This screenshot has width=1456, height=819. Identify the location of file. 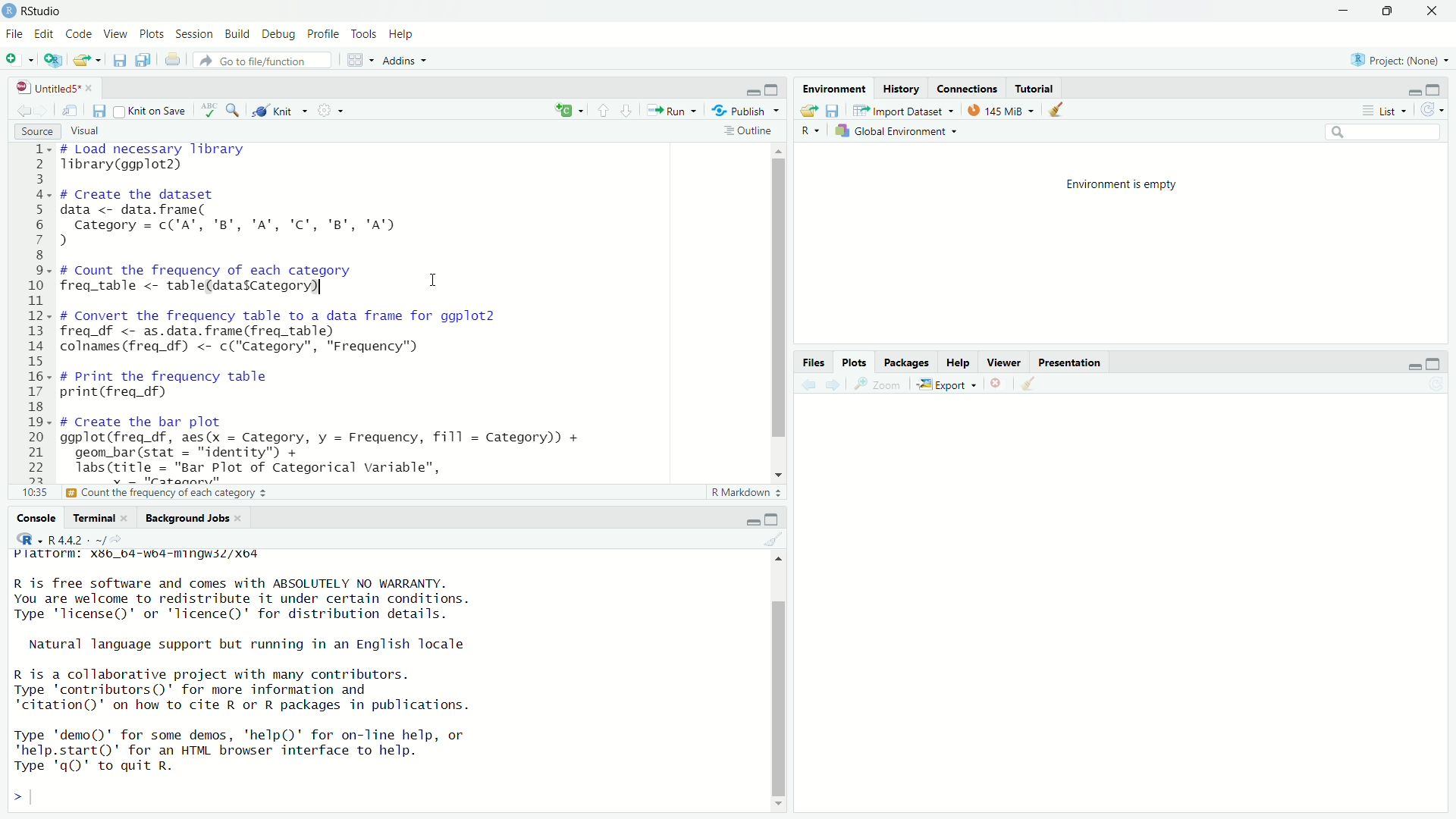
(12, 35).